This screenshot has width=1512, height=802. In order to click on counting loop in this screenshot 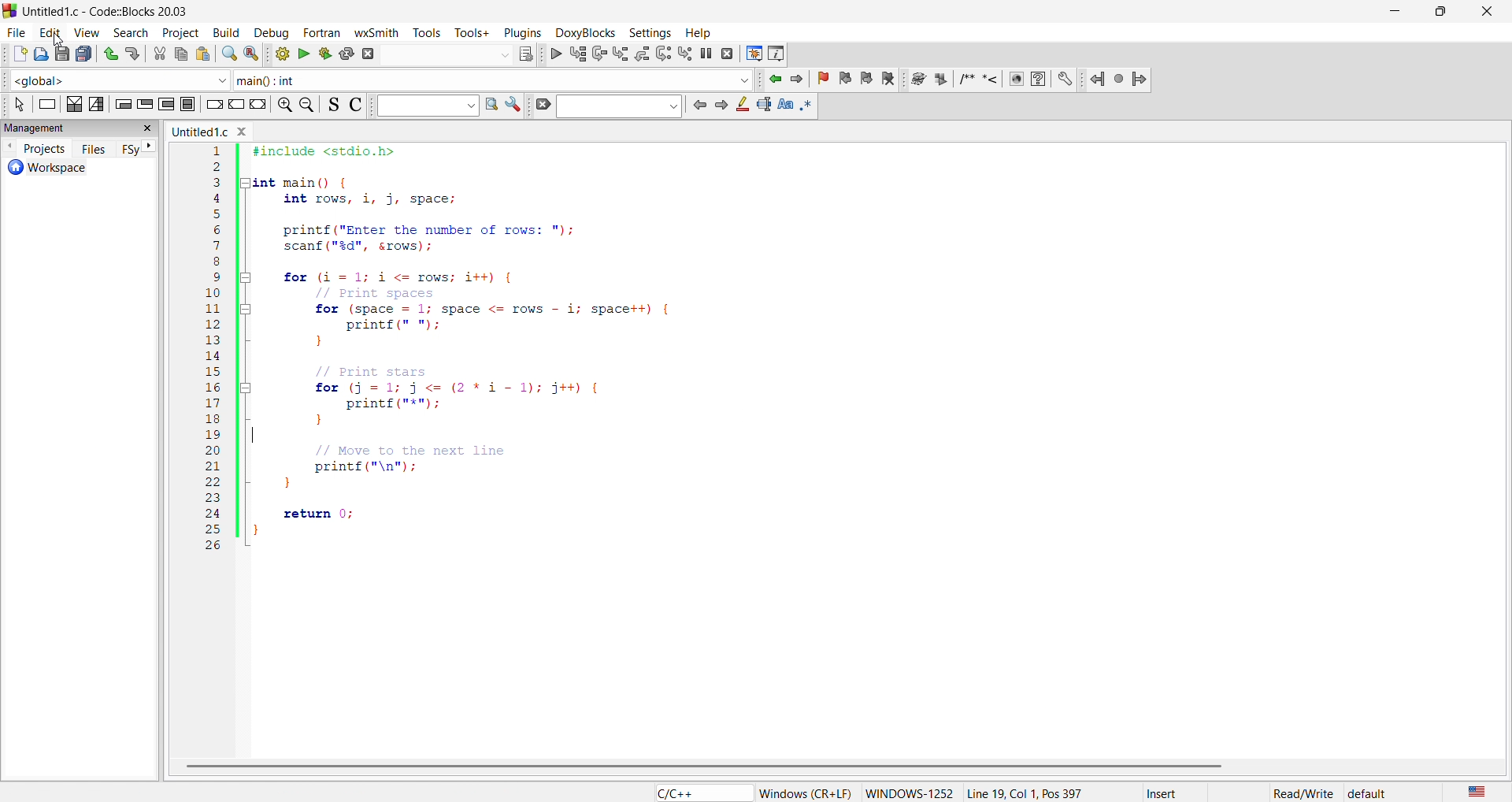, I will do `click(167, 104)`.